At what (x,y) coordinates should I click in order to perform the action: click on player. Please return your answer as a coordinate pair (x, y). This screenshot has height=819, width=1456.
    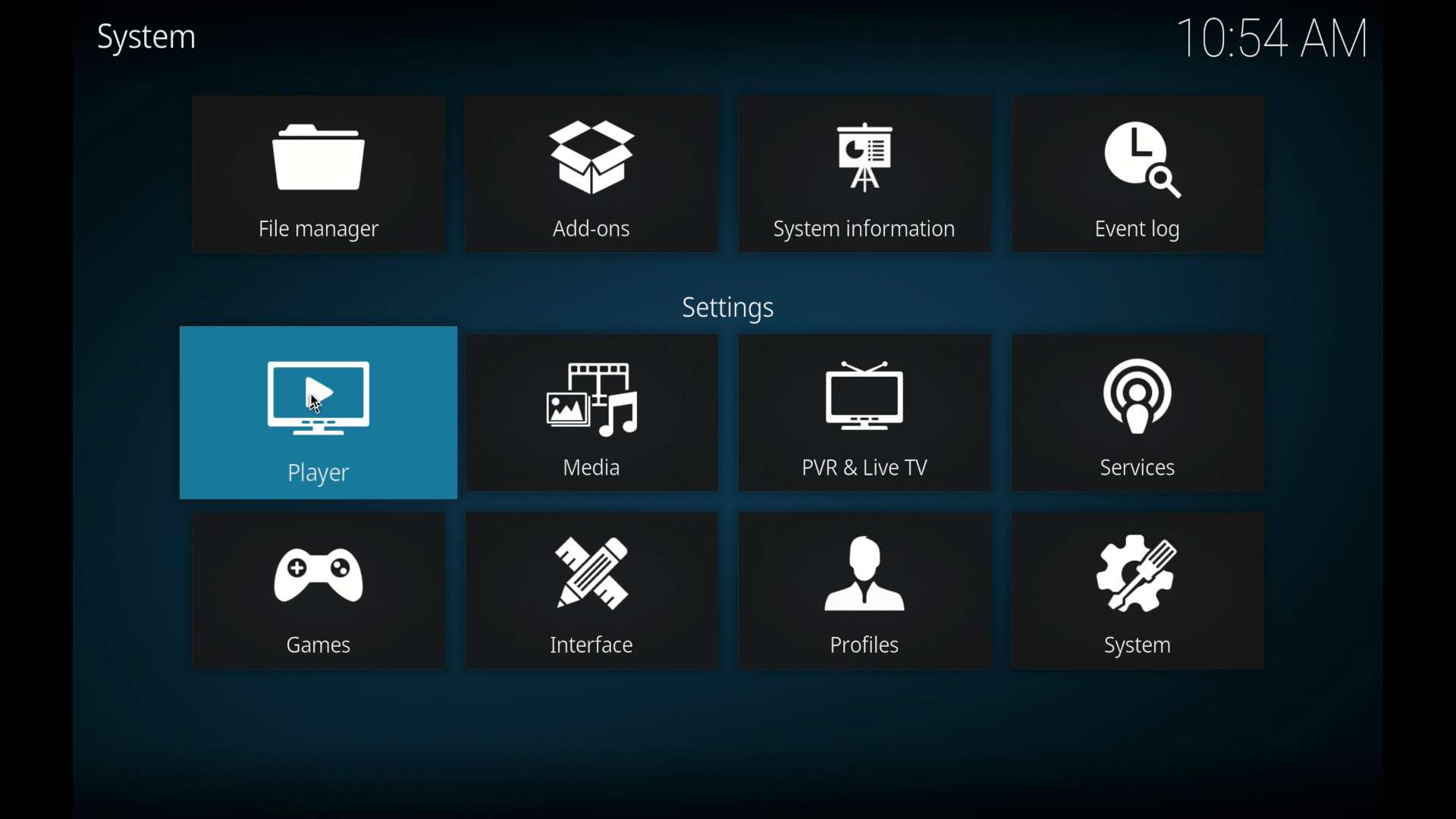
    Looking at the image, I should click on (315, 410).